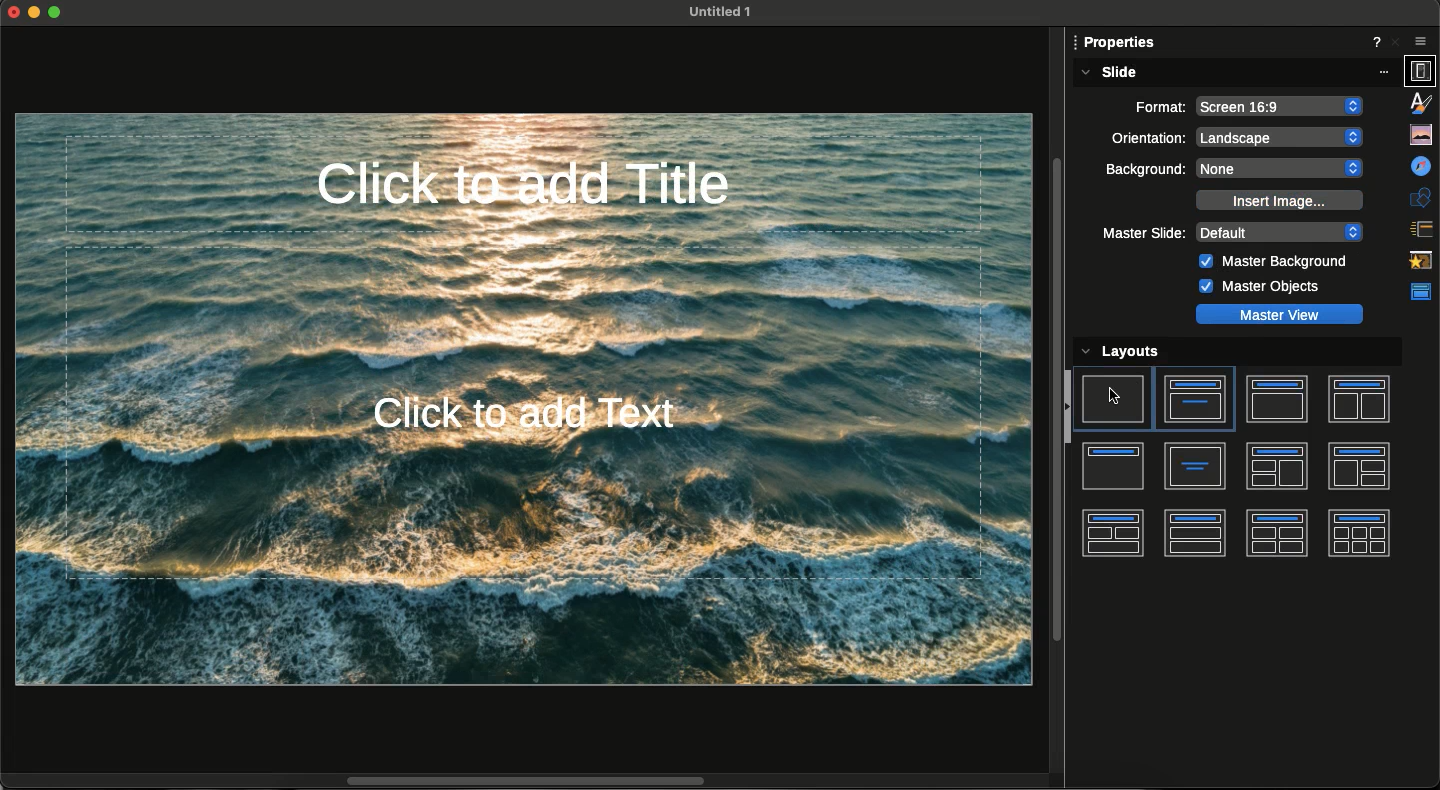  I want to click on Master slides, so click(1419, 293).